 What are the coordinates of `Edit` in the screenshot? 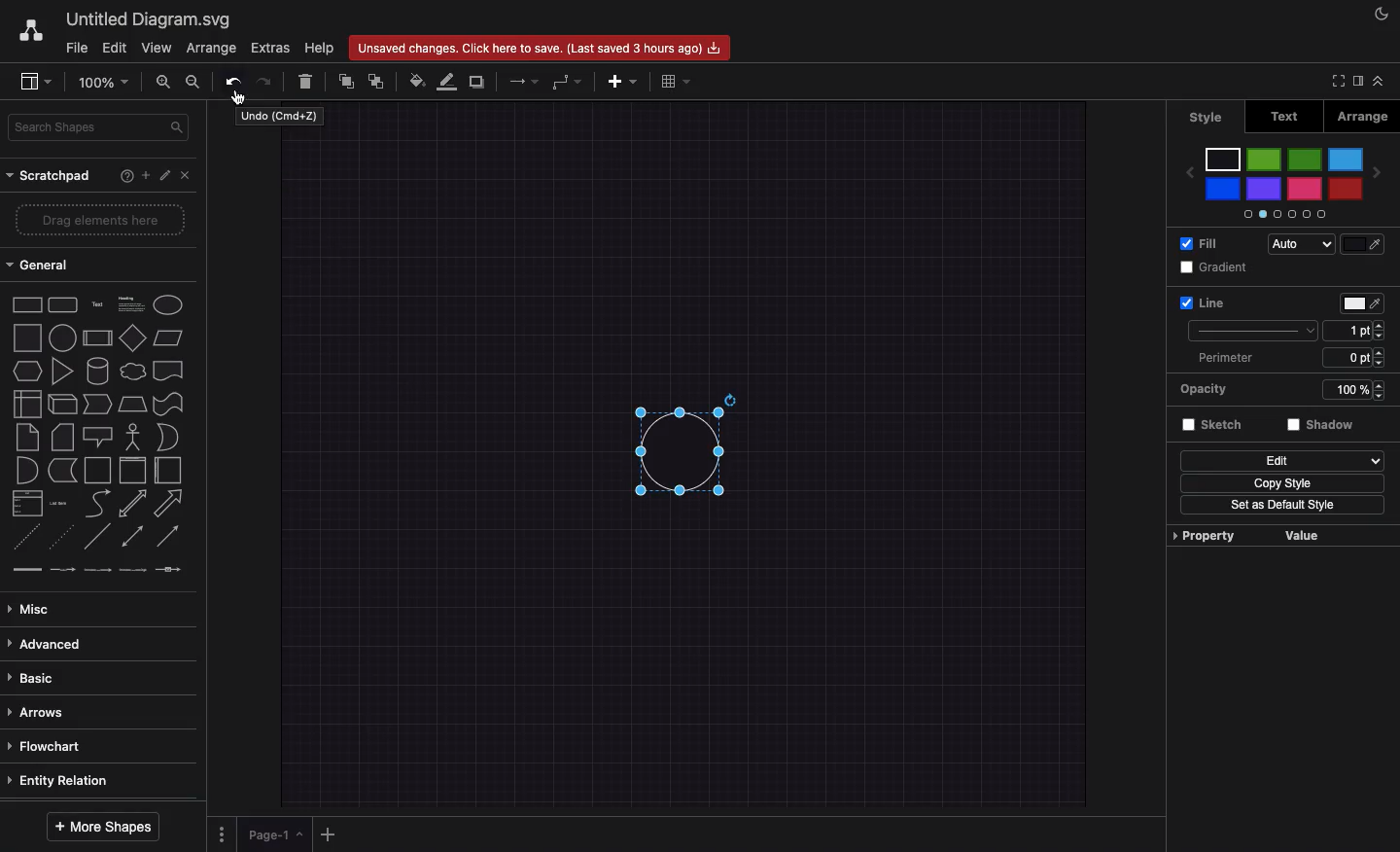 It's located at (116, 49).